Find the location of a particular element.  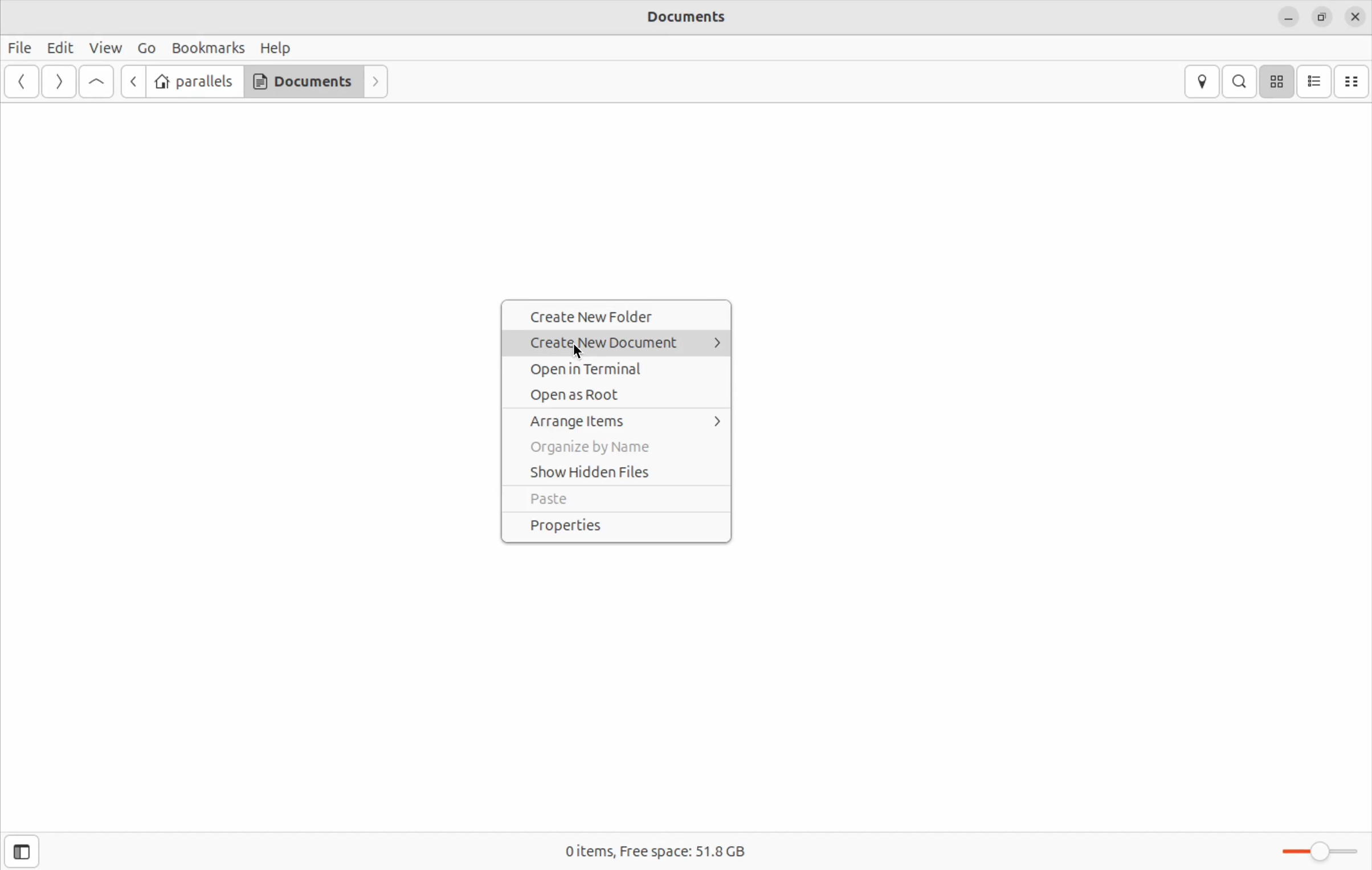

search bar is located at coordinates (1237, 81).